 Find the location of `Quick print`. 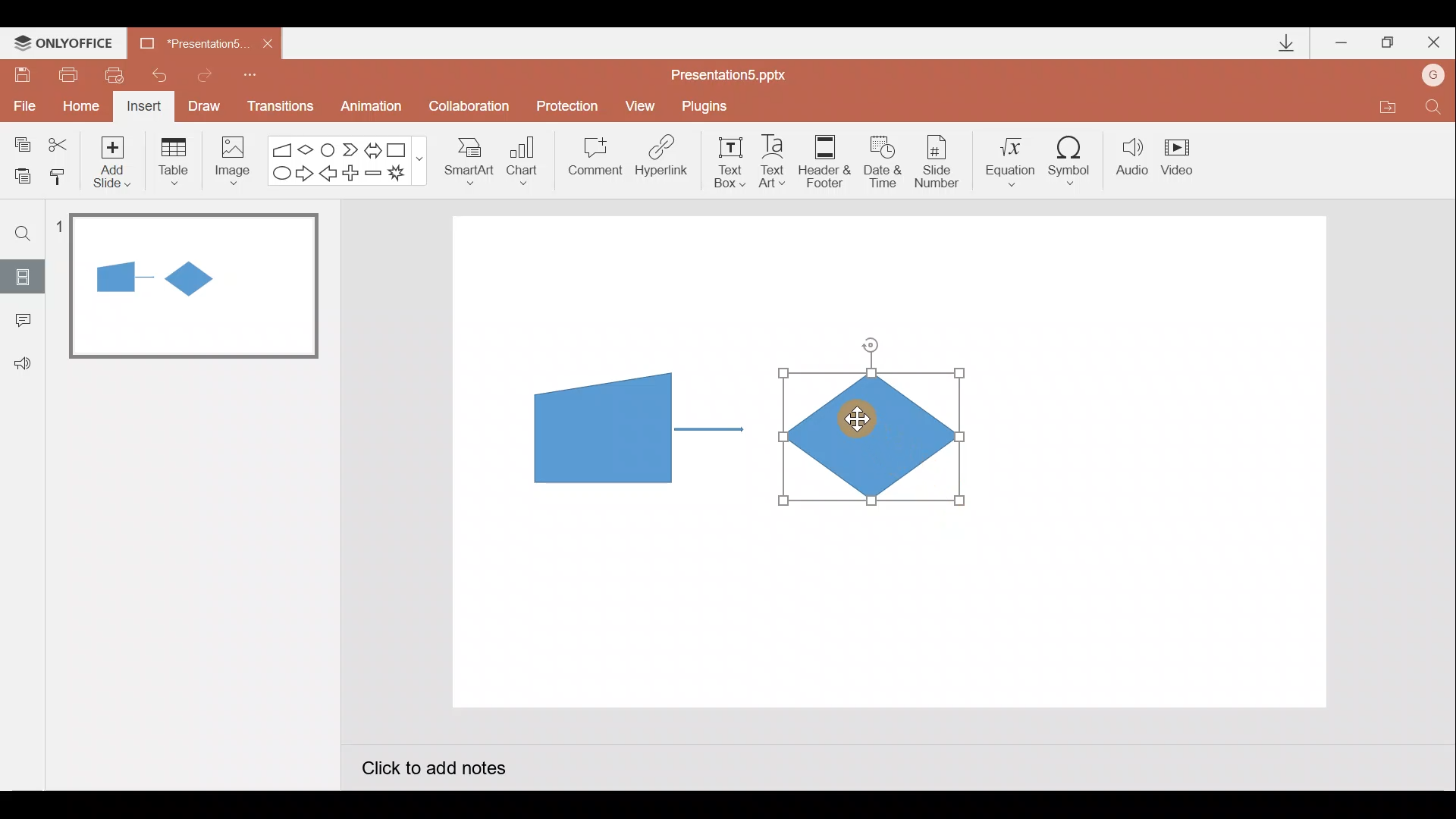

Quick print is located at coordinates (120, 71).